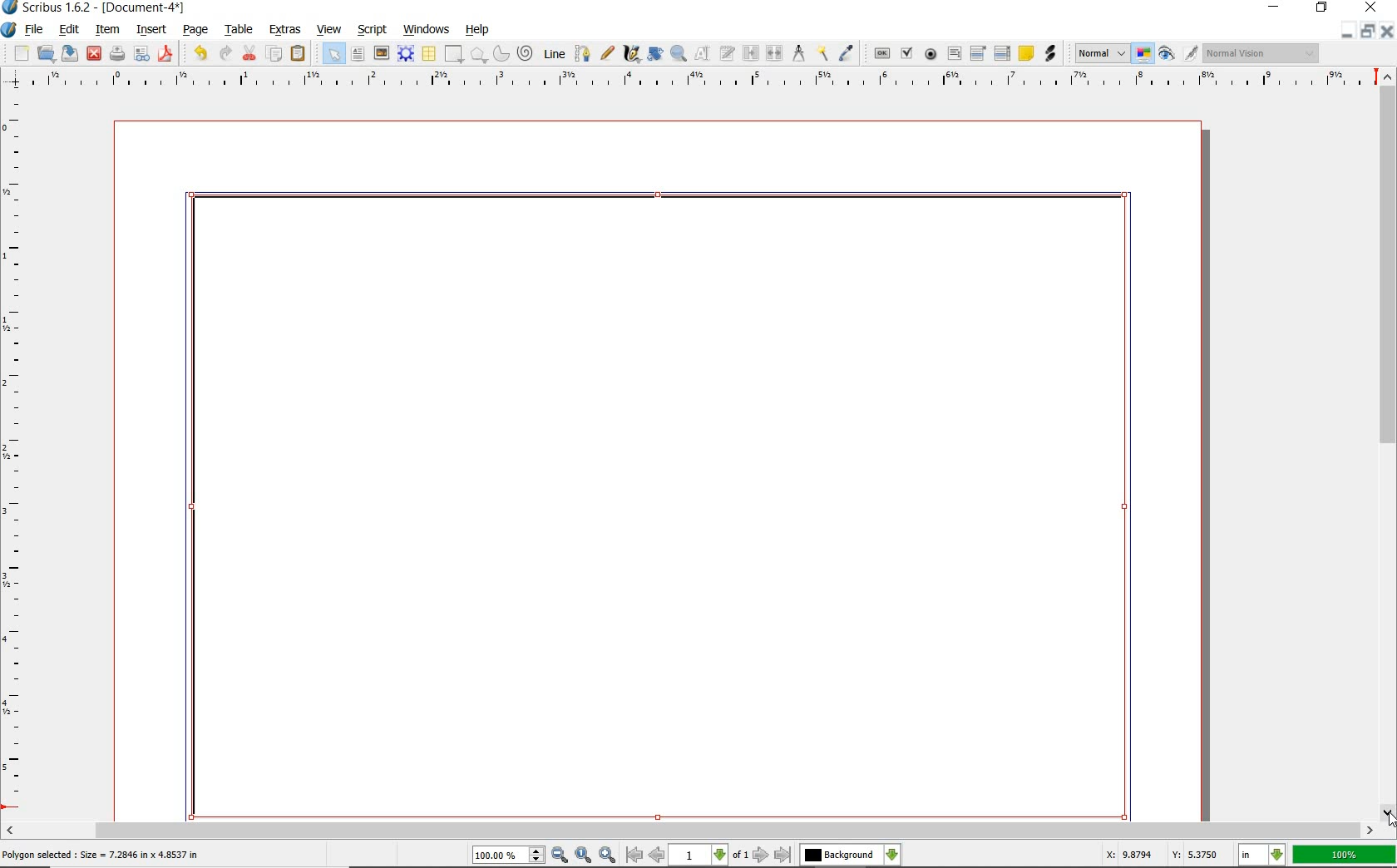 Image resolution: width=1397 pixels, height=868 pixels. Describe the element at coordinates (631, 53) in the screenshot. I see `calligraphic line` at that location.